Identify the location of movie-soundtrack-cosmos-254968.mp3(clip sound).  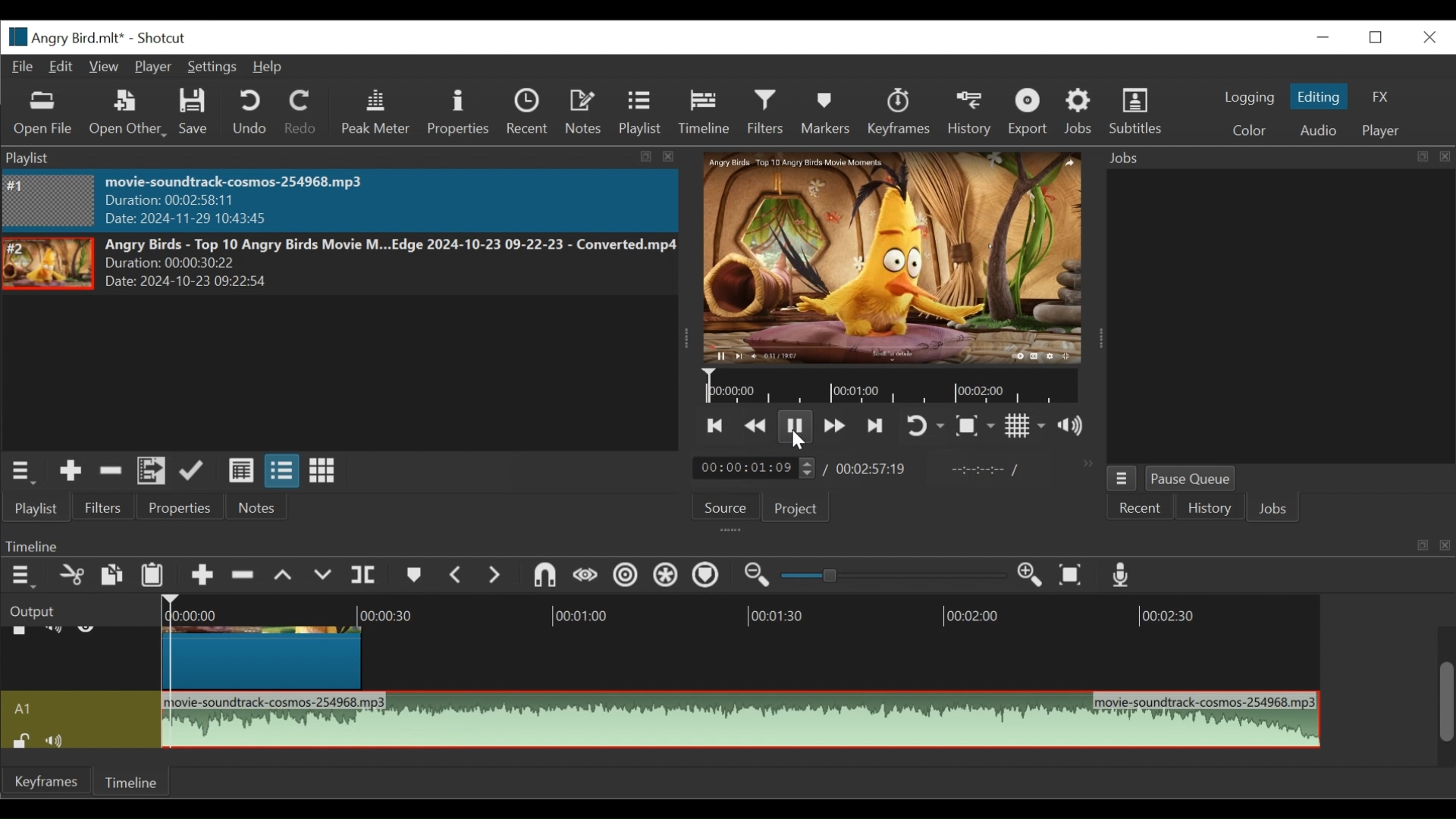
(742, 719).